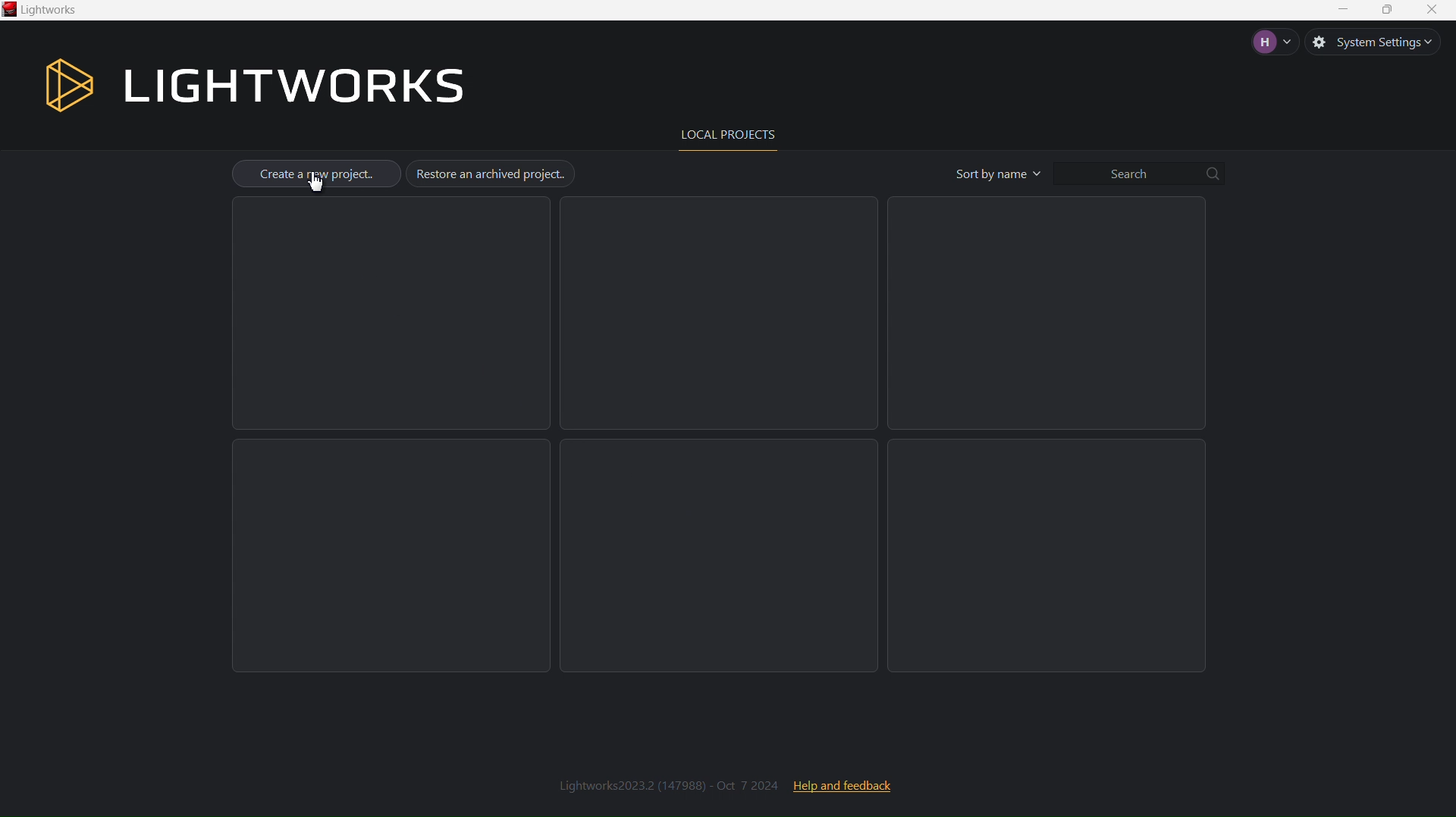 The height and width of the screenshot is (817, 1456). What do you see at coordinates (42, 12) in the screenshot?
I see `Lightworks` at bounding box center [42, 12].